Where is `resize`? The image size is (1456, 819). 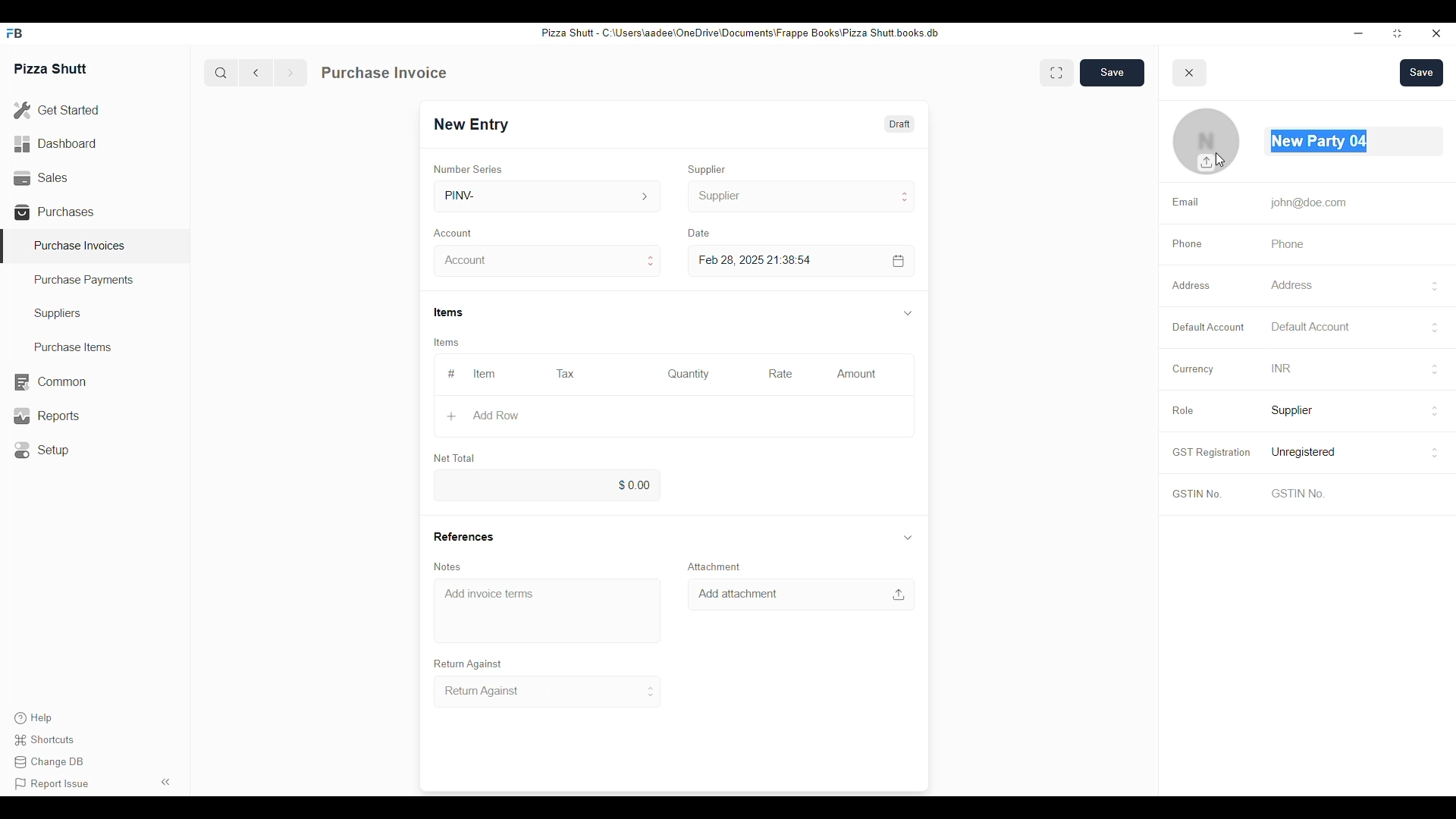
resize is located at coordinates (1395, 34).